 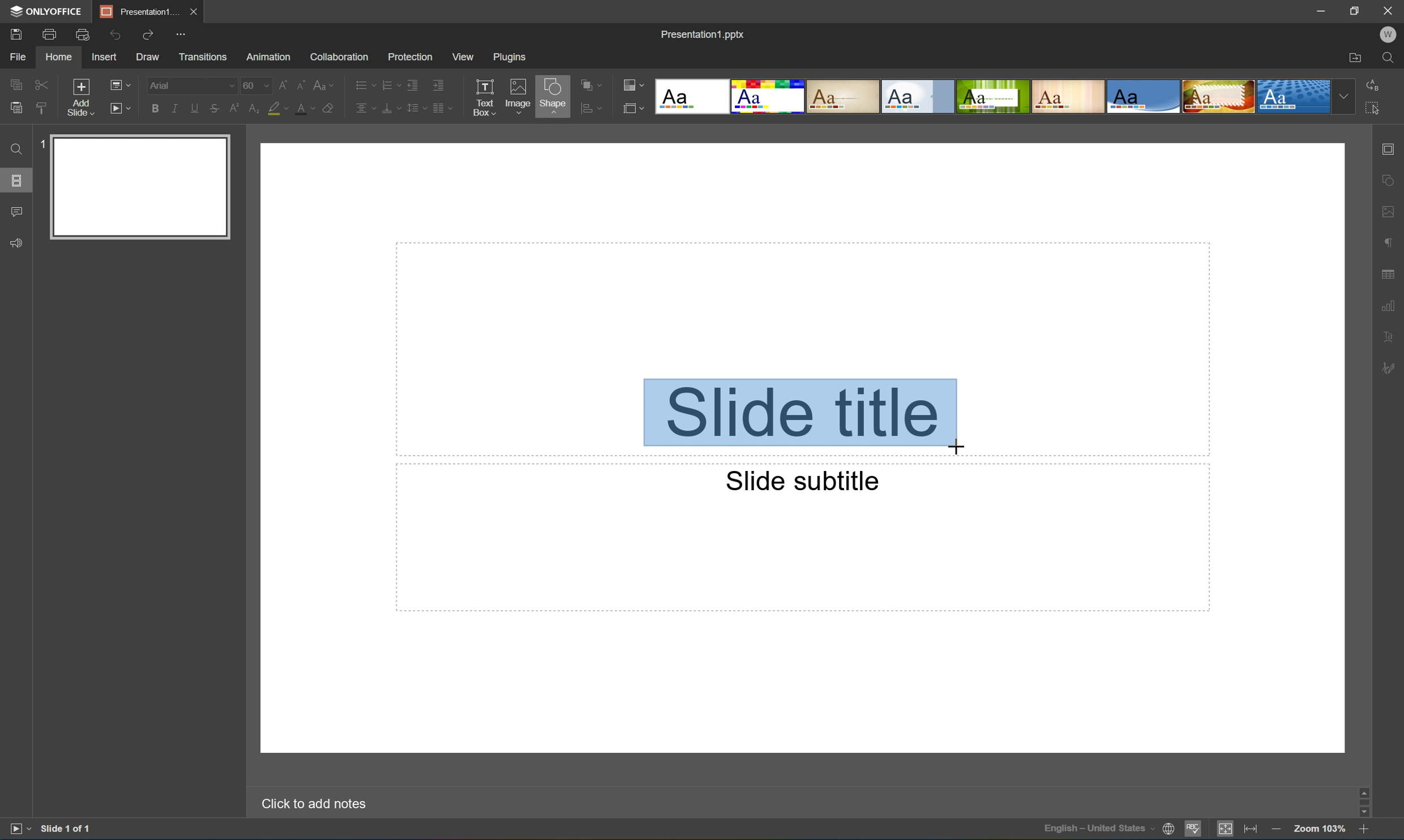 What do you see at coordinates (136, 11) in the screenshot?
I see `Presentation1...` at bounding box center [136, 11].